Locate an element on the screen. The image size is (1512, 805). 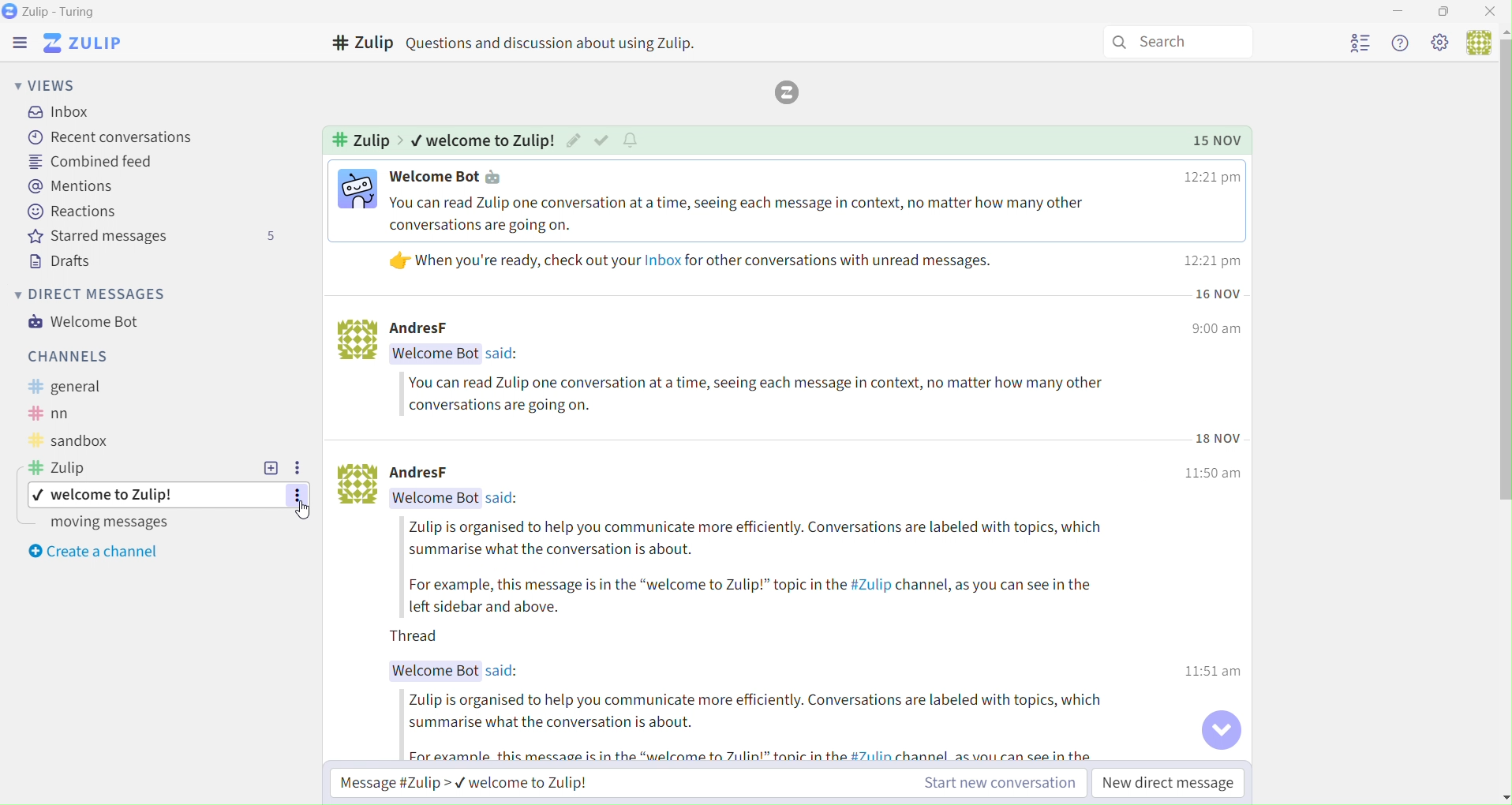
Views is located at coordinates (43, 85).